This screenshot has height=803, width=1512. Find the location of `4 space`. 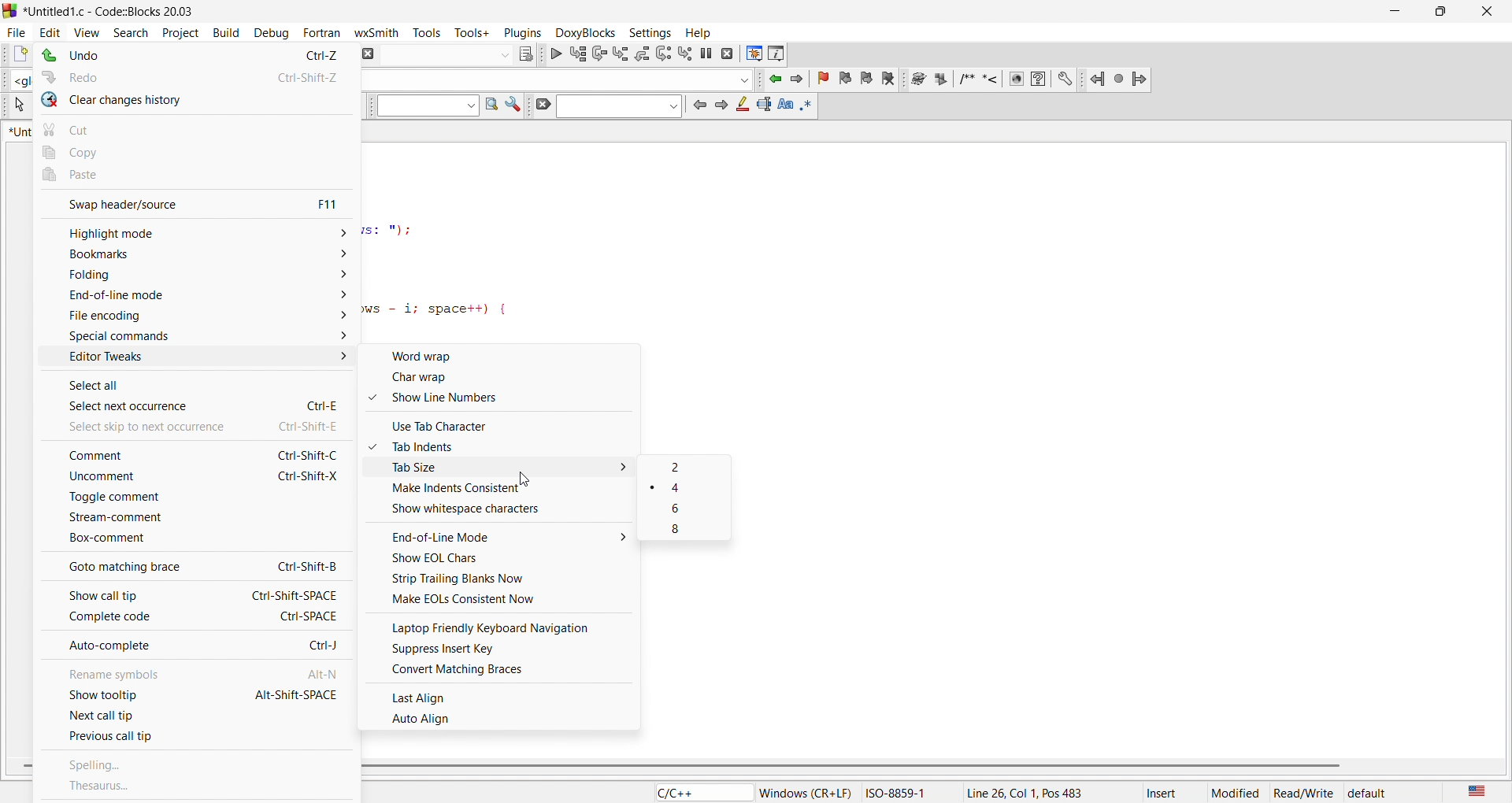

4 space is located at coordinates (688, 489).